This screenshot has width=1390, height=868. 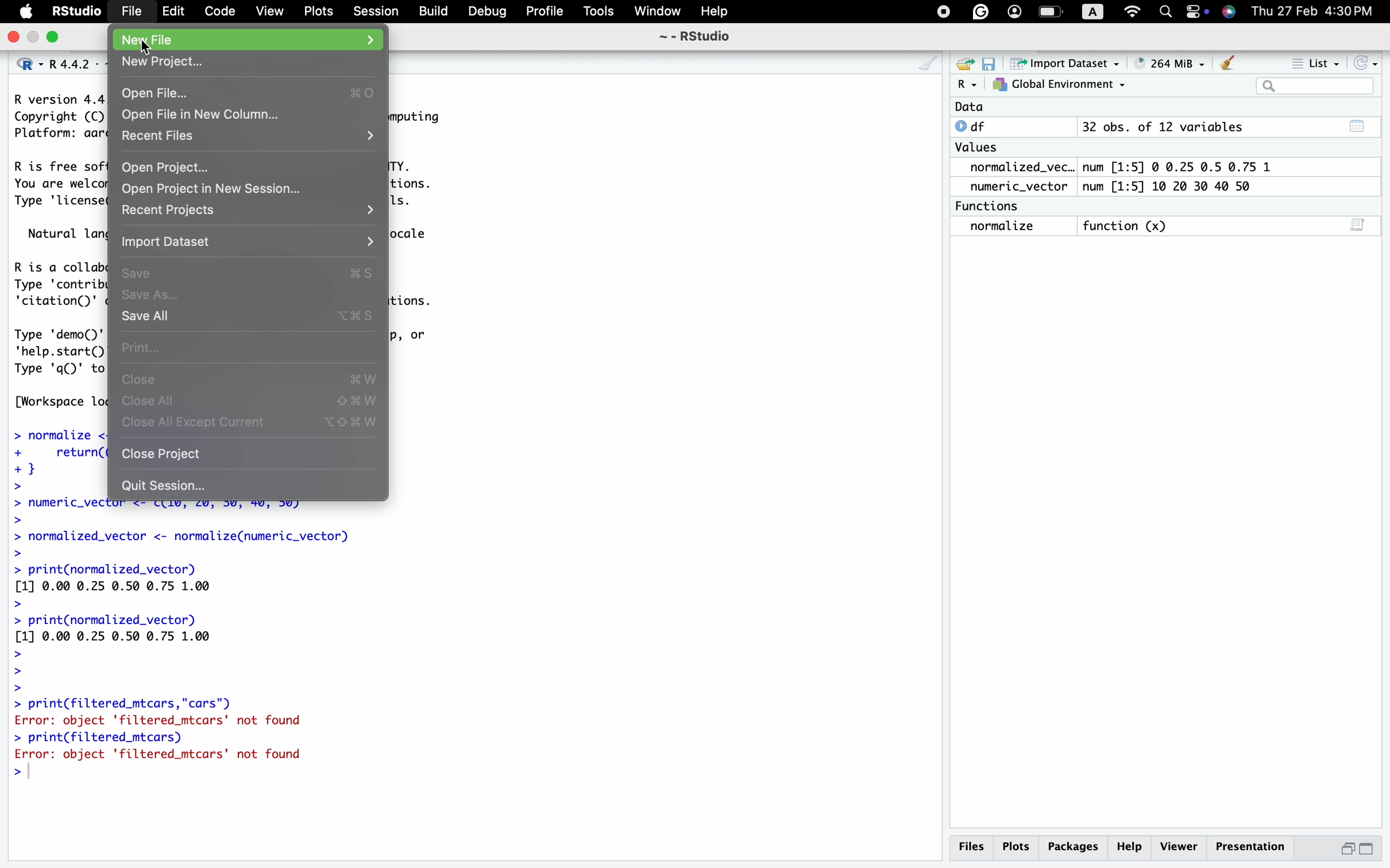 I want to click on close project, so click(x=247, y=454).